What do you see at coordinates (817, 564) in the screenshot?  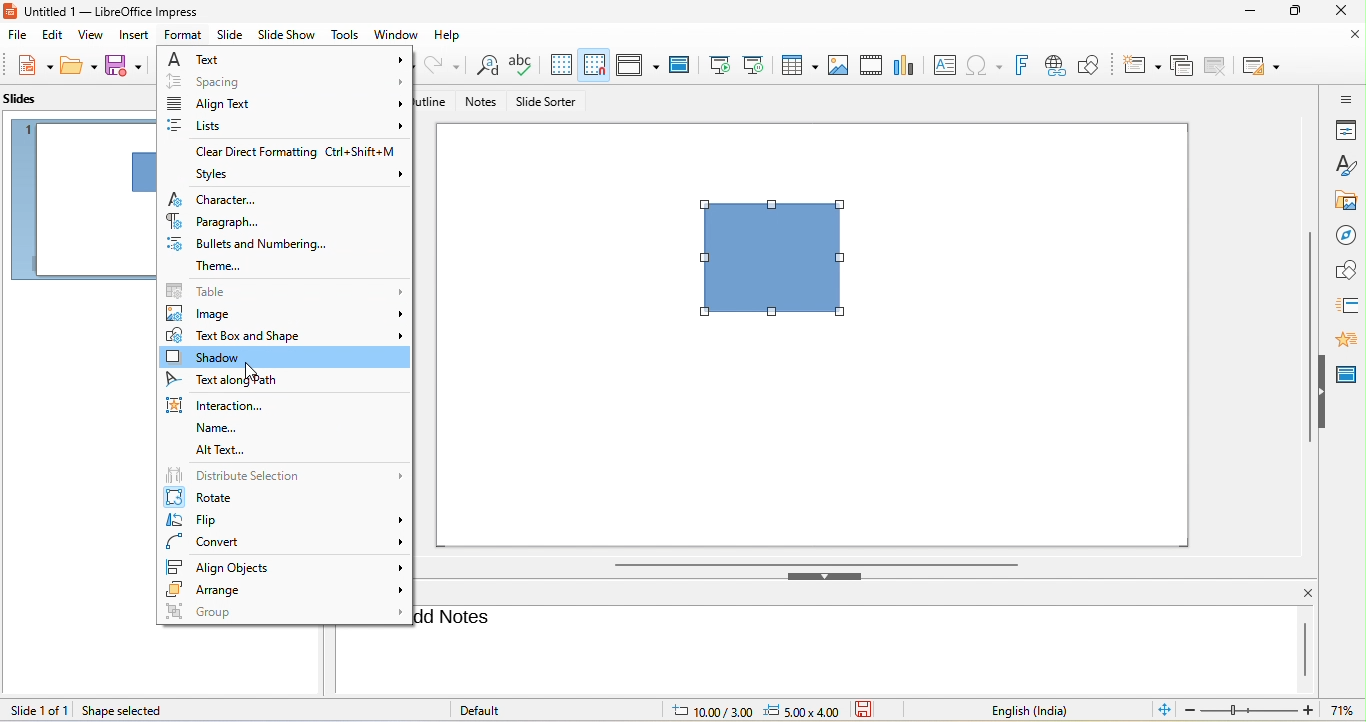 I see `horizontal scroll bar` at bounding box center [817, 564].